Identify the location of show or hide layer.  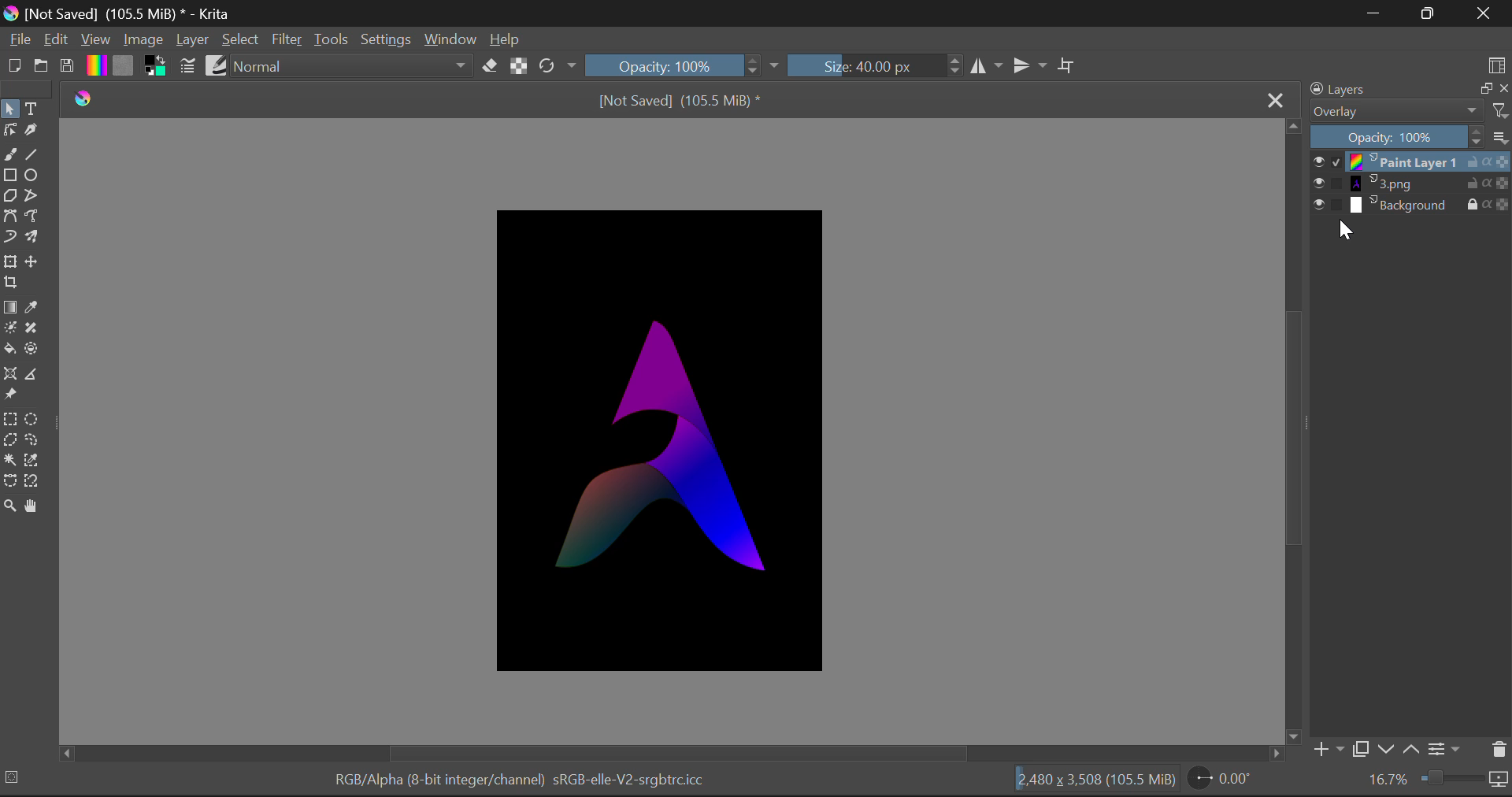
(1329, 205).